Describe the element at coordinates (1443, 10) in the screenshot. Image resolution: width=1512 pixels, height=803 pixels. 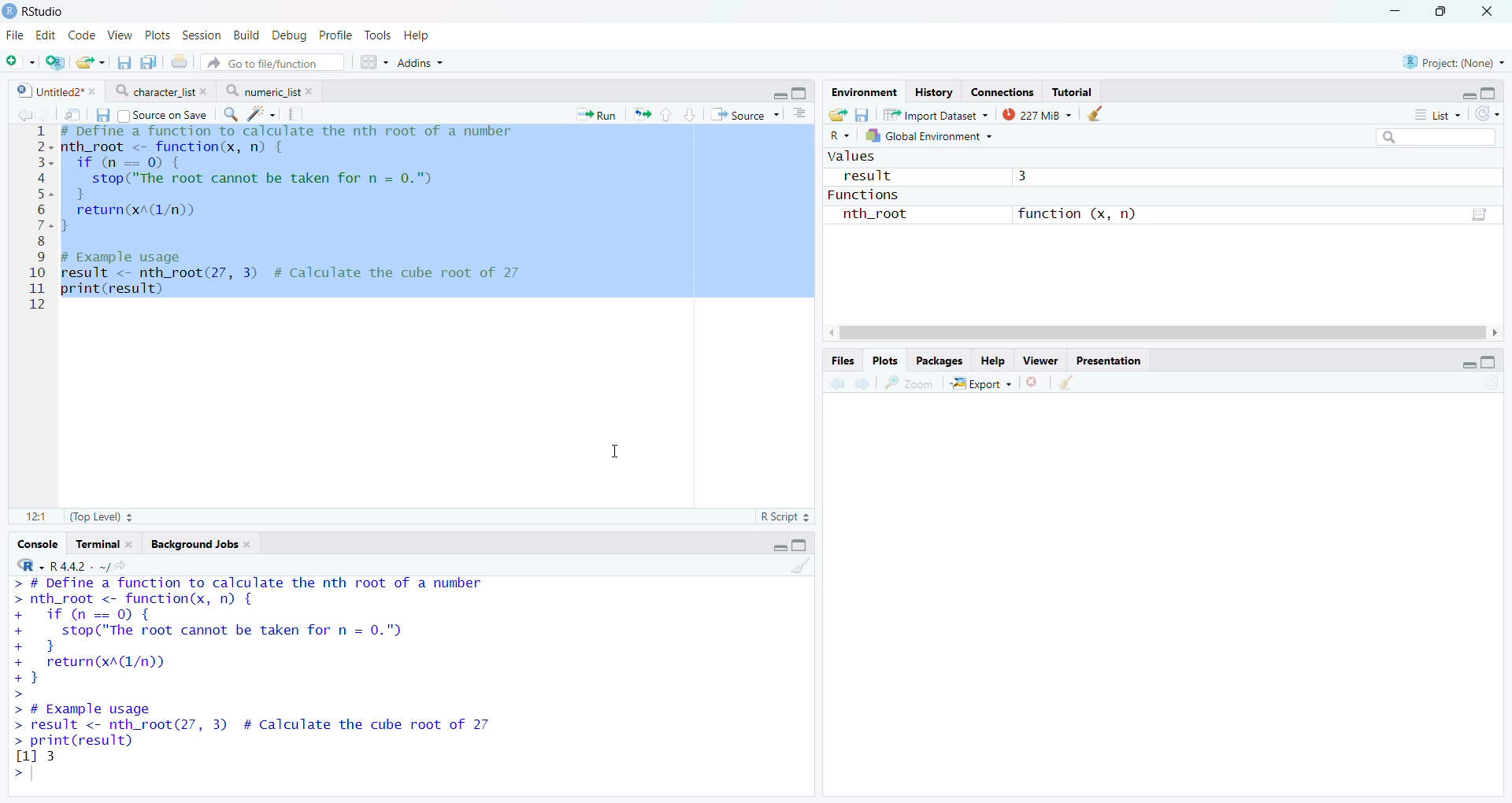
I see `Maximize` at that location.